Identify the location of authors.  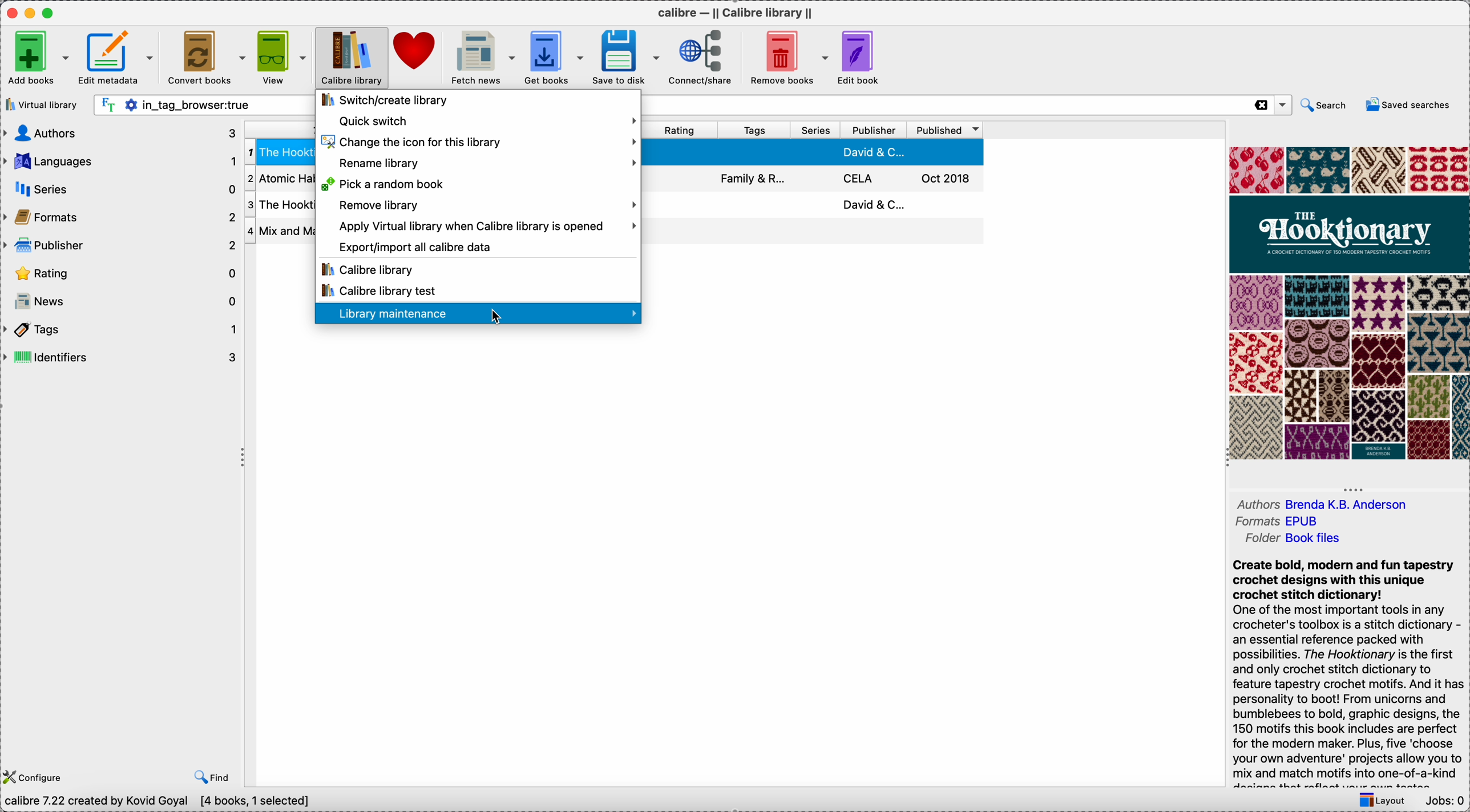
(1321, 503).